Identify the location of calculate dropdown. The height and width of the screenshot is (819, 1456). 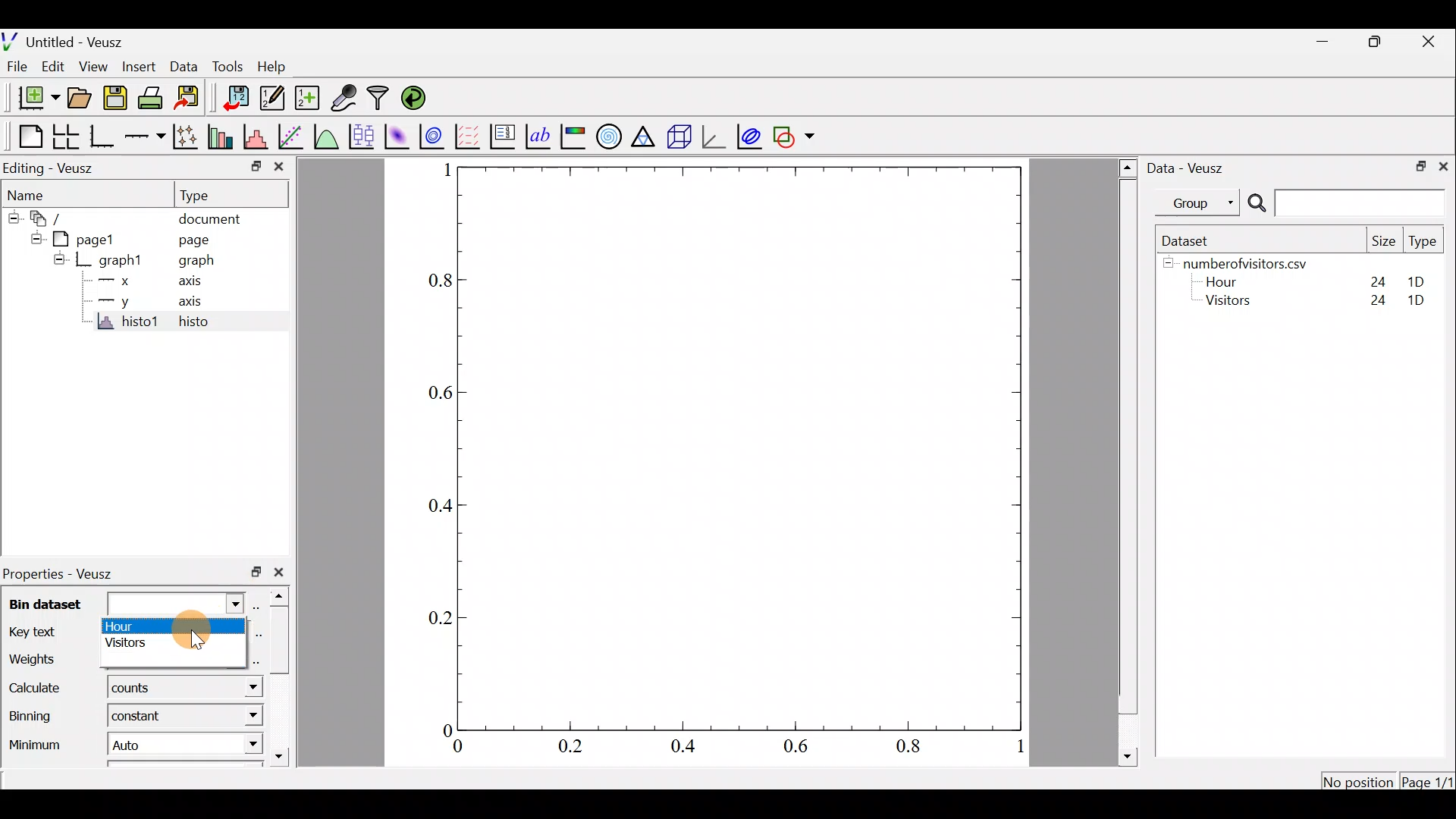
(240, 687).